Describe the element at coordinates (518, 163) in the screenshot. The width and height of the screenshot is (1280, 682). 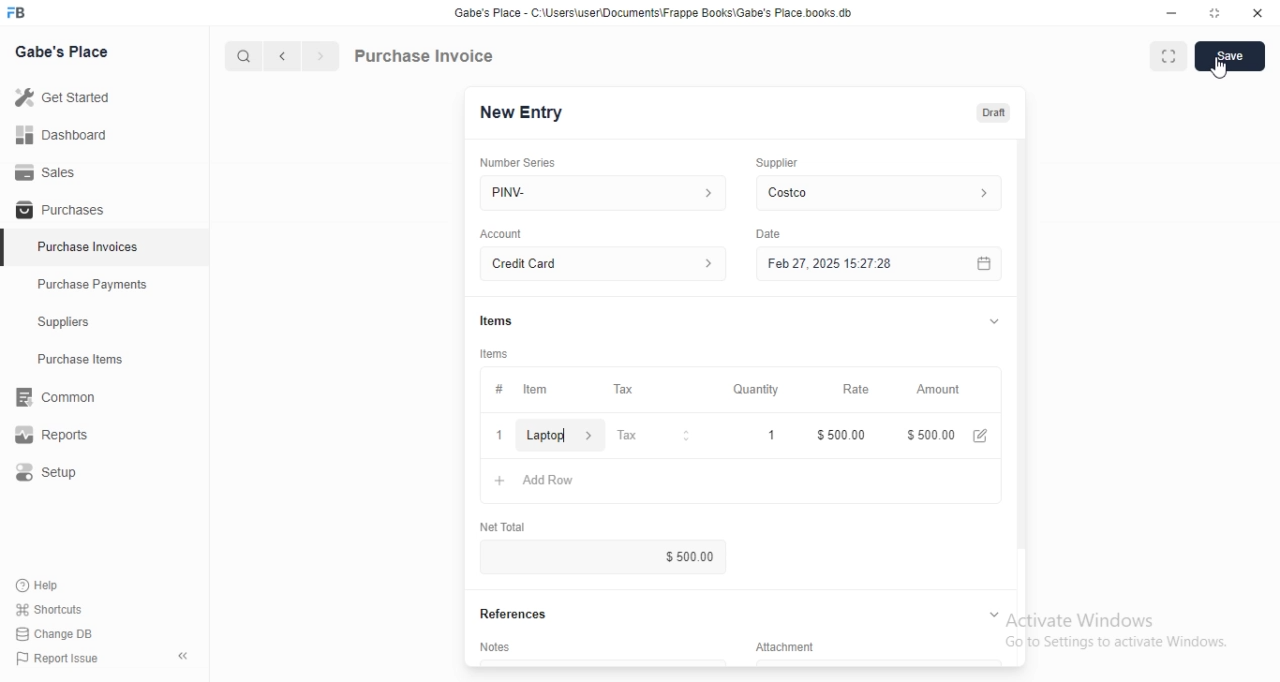
I see `Number Series` at that location.